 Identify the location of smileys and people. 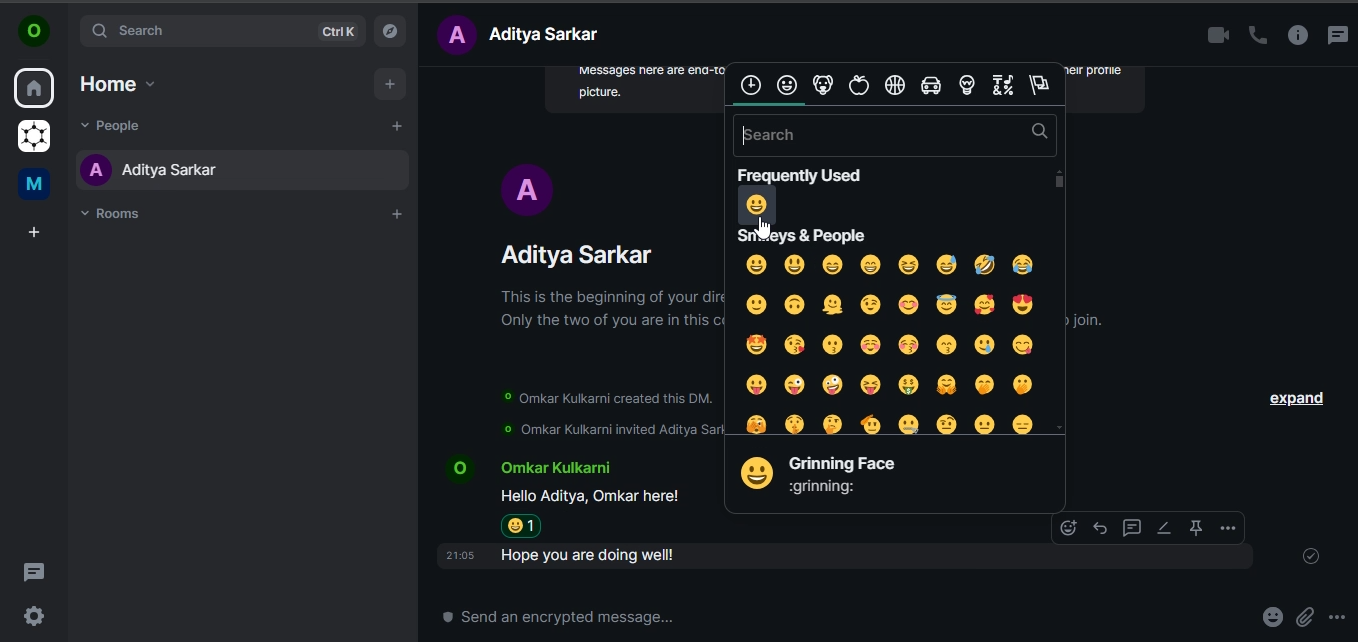
(788, 84).